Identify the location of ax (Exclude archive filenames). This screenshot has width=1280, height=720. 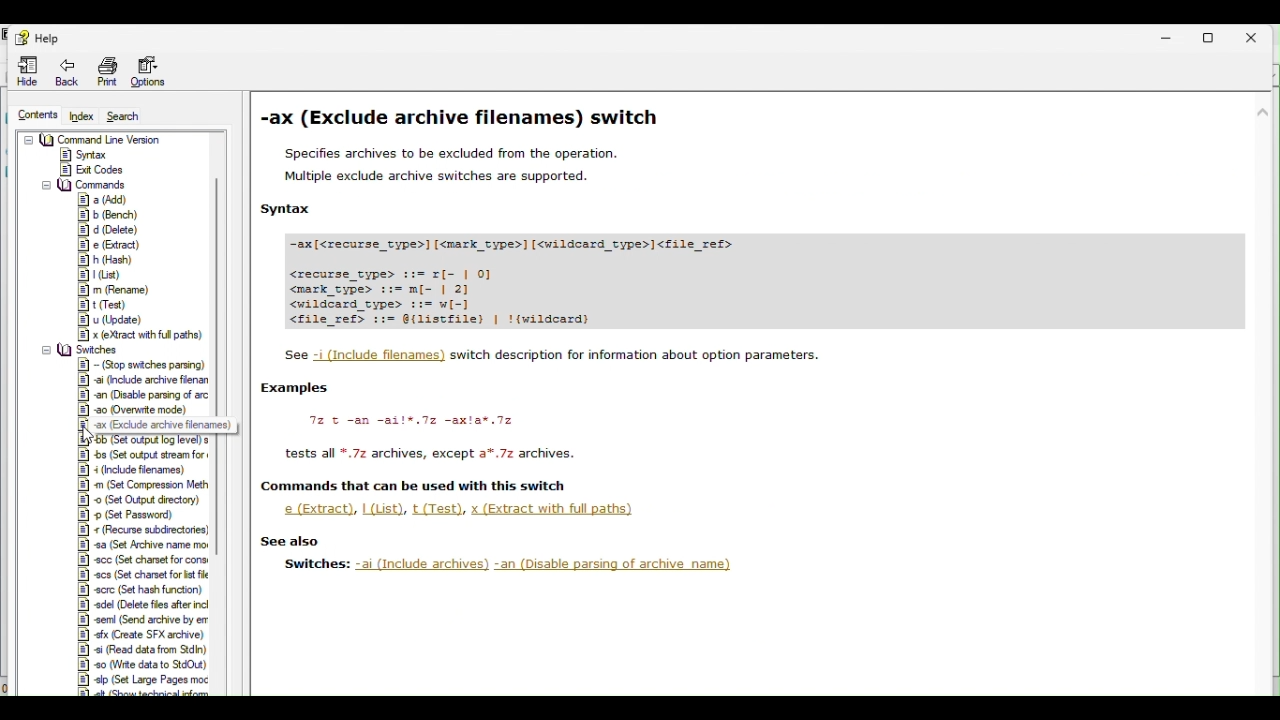
(165, 427).